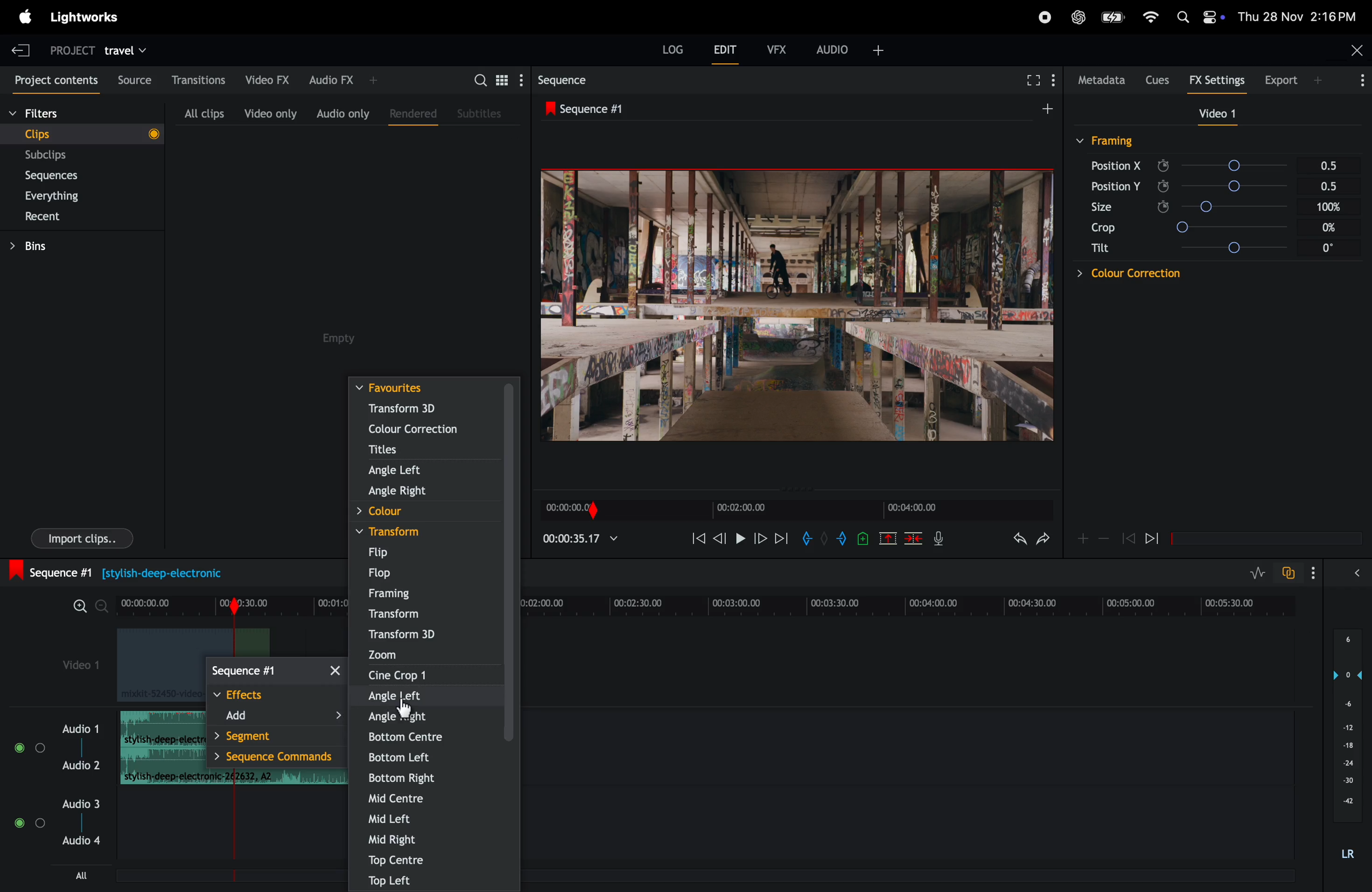  I want to click on project contents, so click(54, 81).